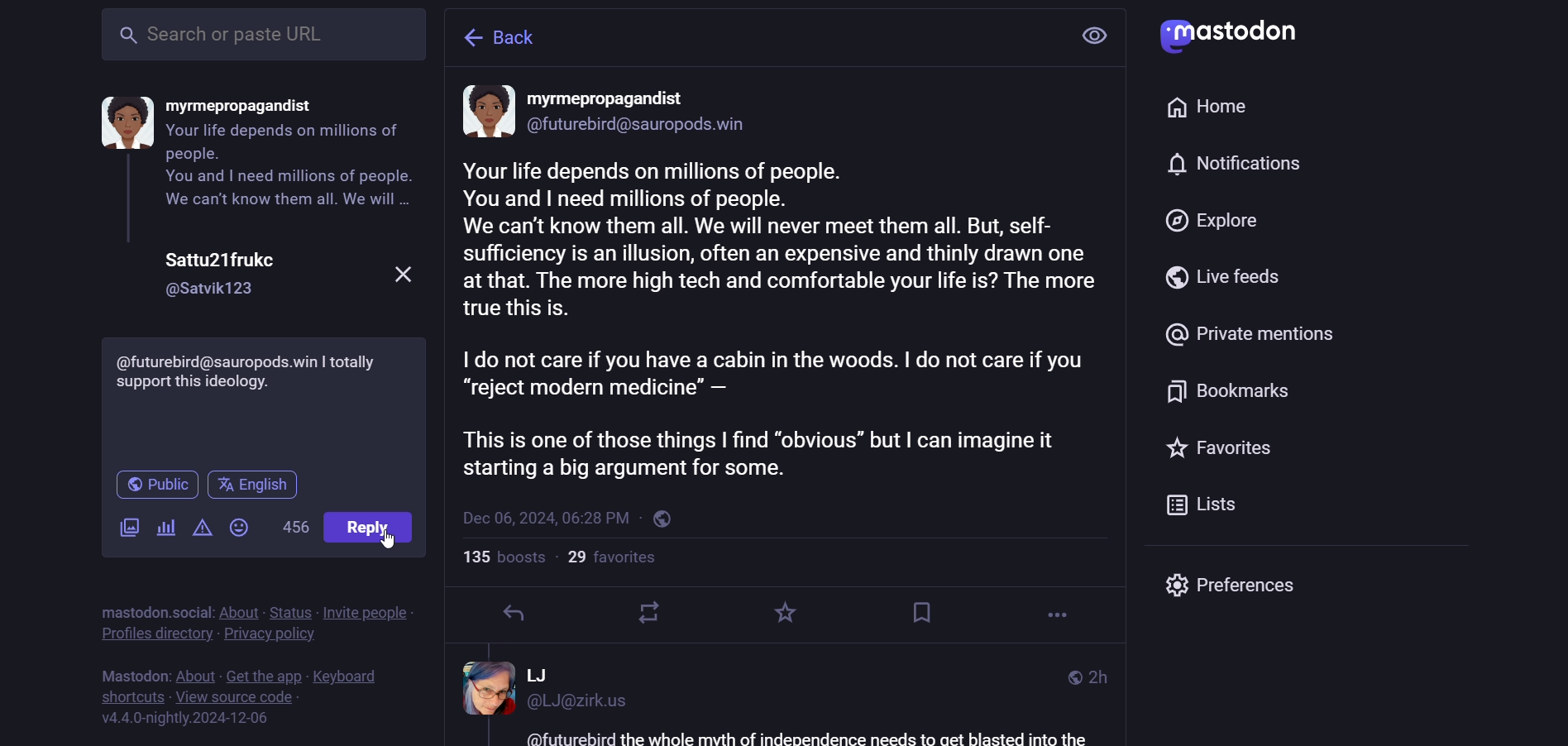 This screenshot has width=1568, height=746. What do you see at coordinates (1105, 677) in the screenshot?
I see `last modifiied` at bounding box center [1105, 677].